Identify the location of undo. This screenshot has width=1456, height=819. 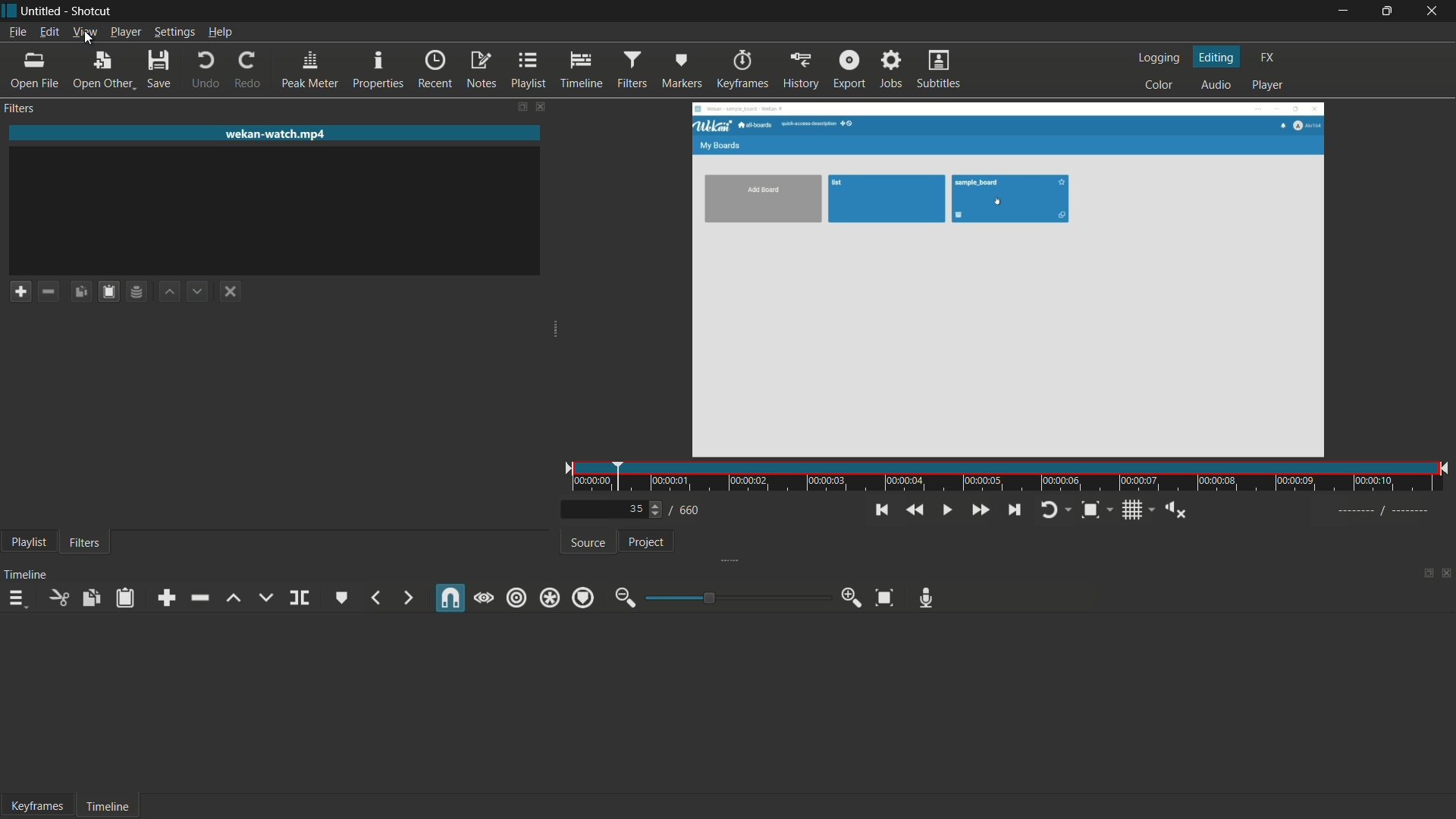
(206, 71).